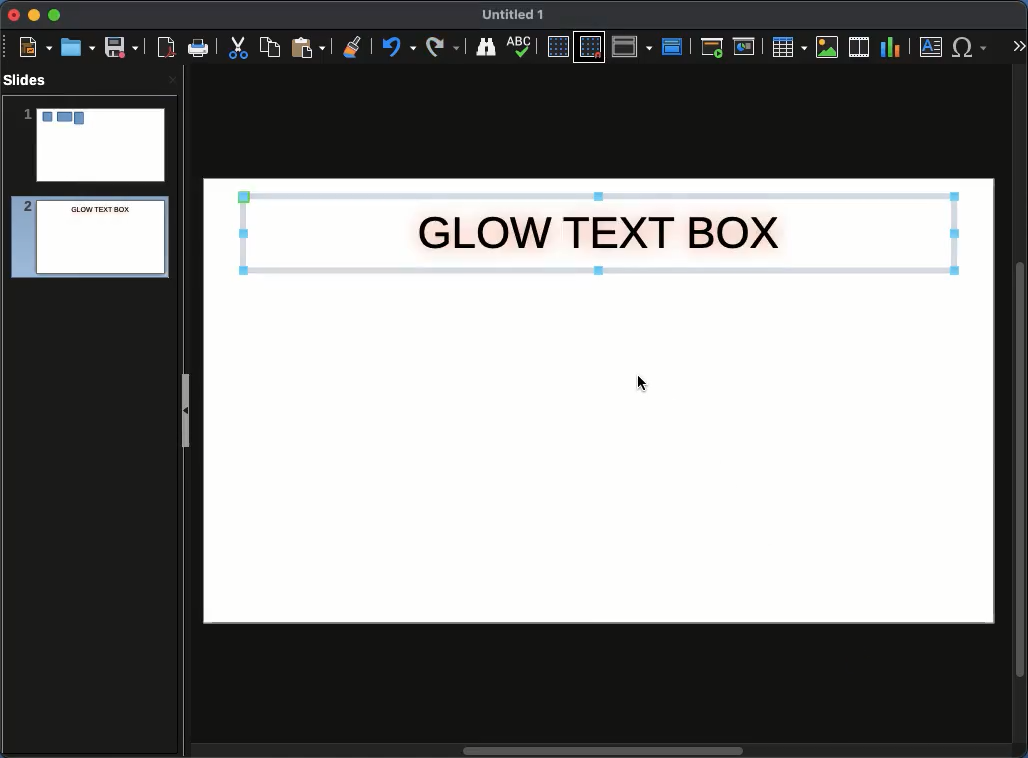 The width and height of the screenshot is (1028, 758). Describe the element at coordinates (15, 15) in the screenshot. I see `Close` at that location.